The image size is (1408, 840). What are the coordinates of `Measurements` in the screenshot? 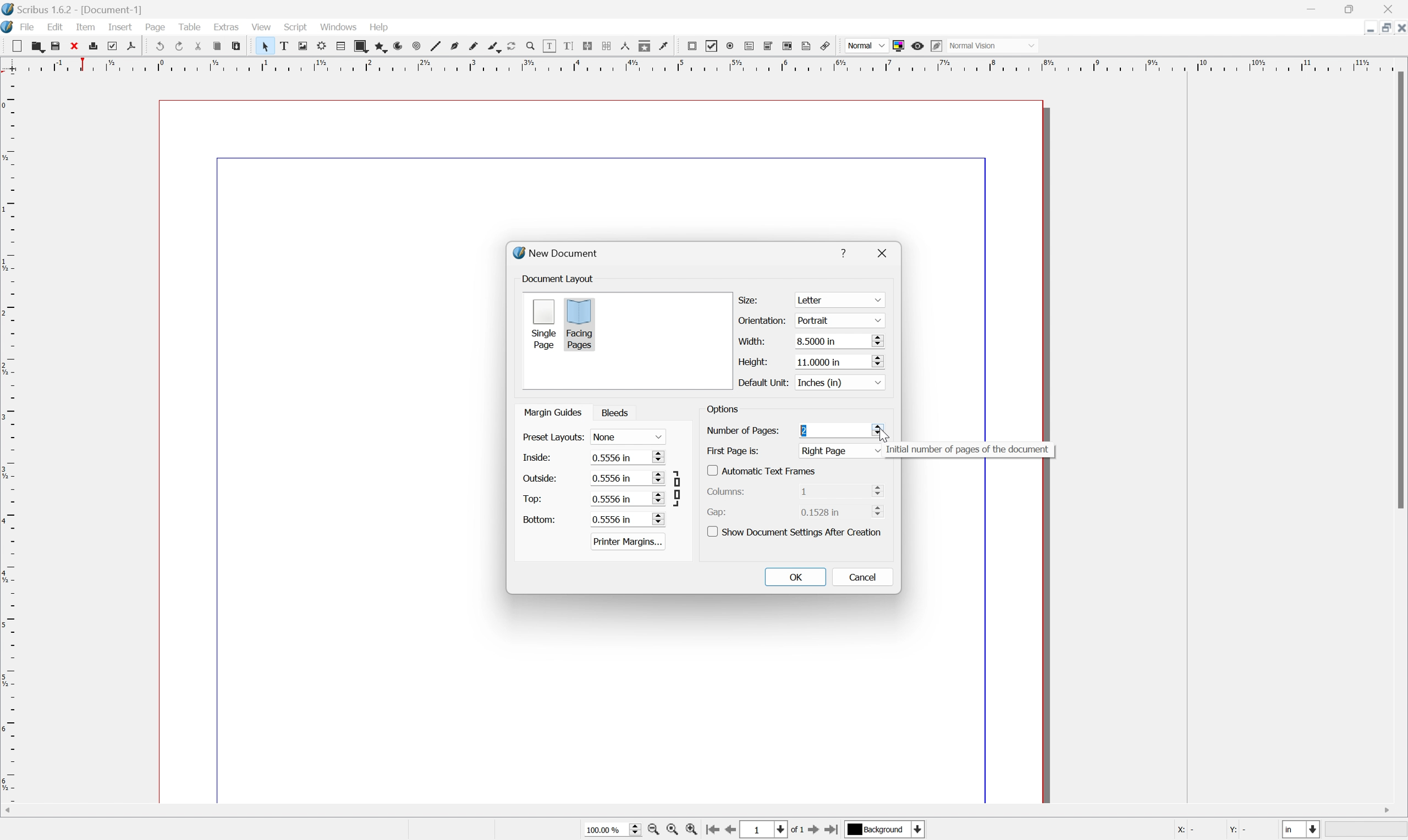 It's located at (627, 47).